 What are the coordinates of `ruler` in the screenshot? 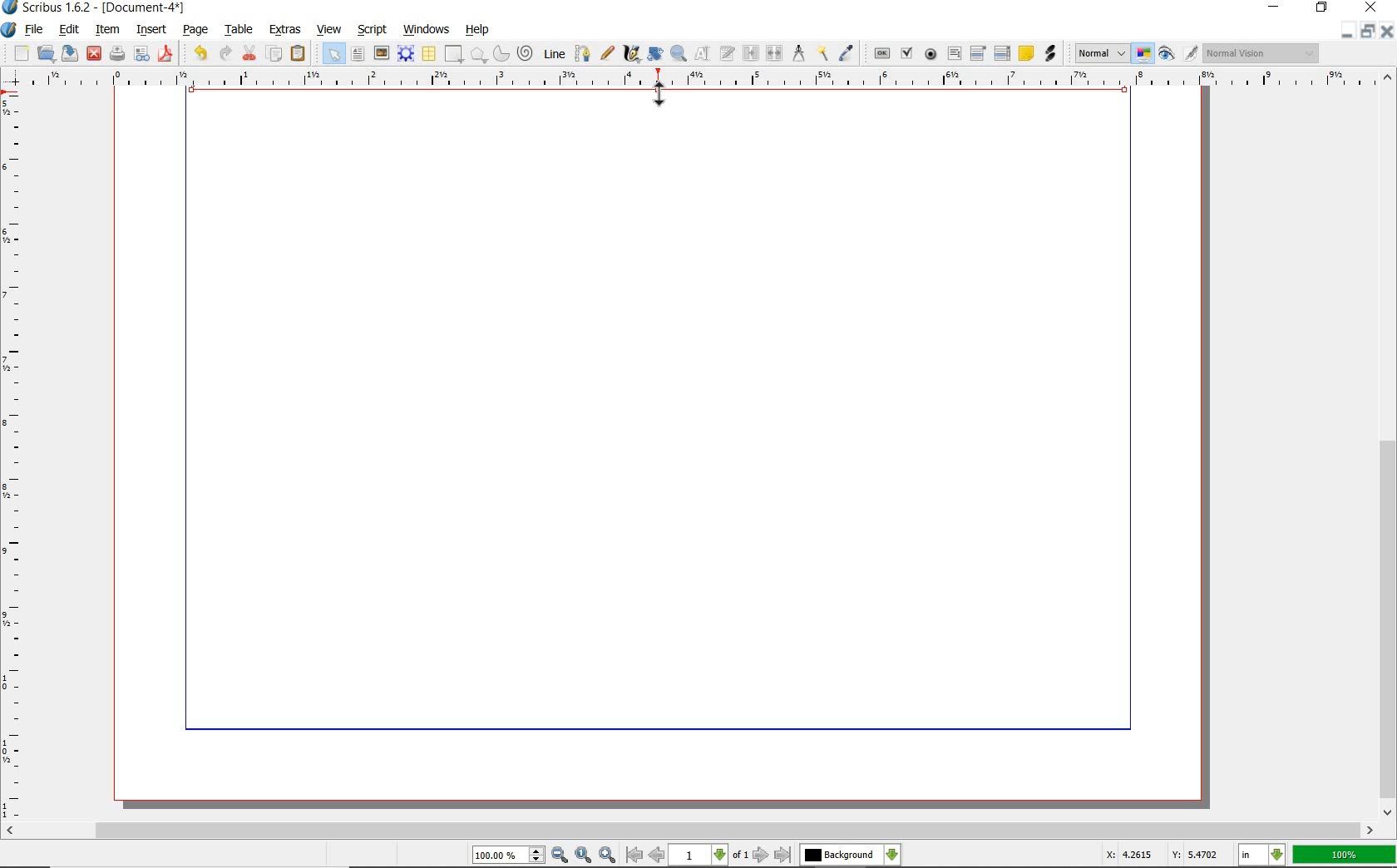 It's located at (701, 79).